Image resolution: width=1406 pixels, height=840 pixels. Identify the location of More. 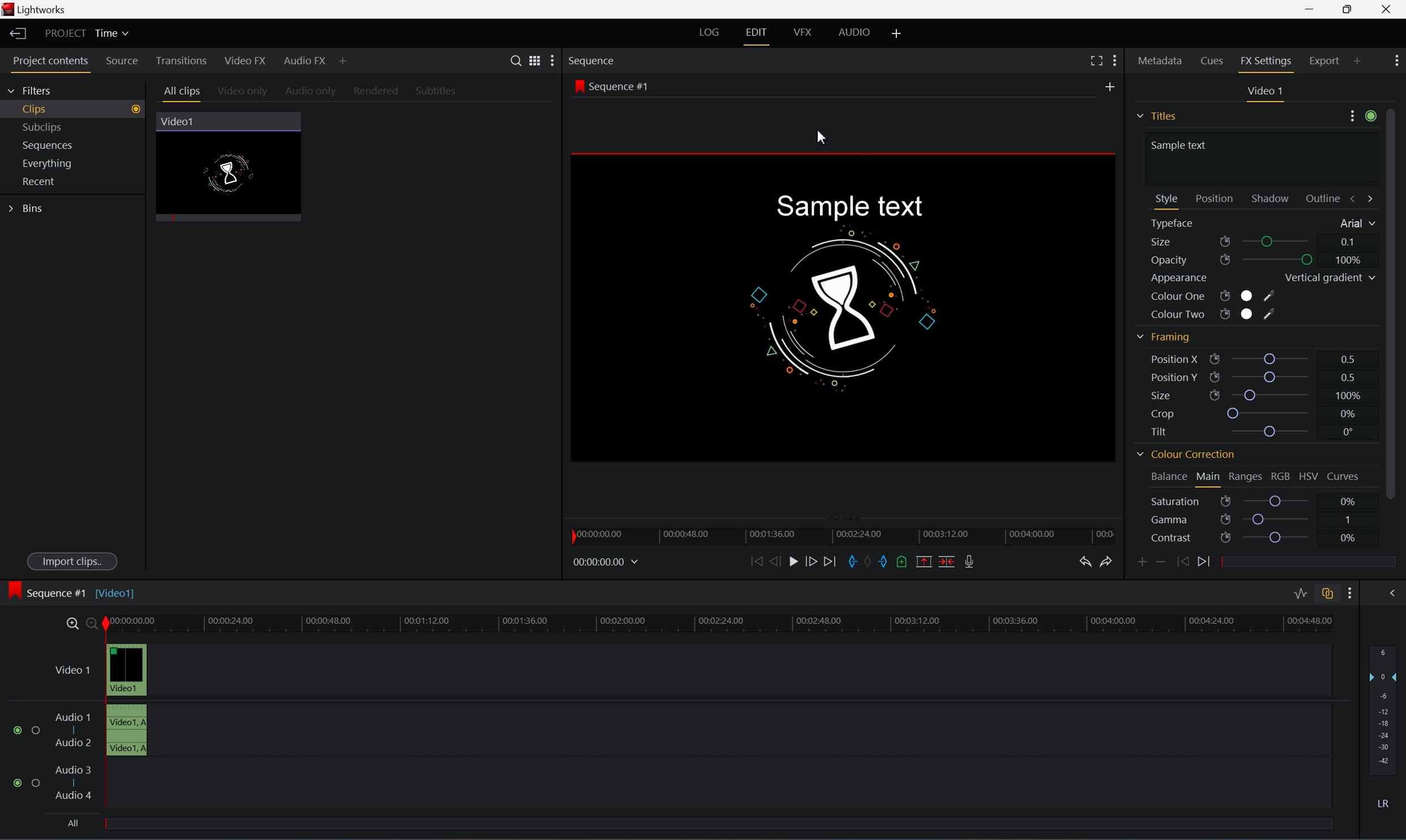
(1116, 60).